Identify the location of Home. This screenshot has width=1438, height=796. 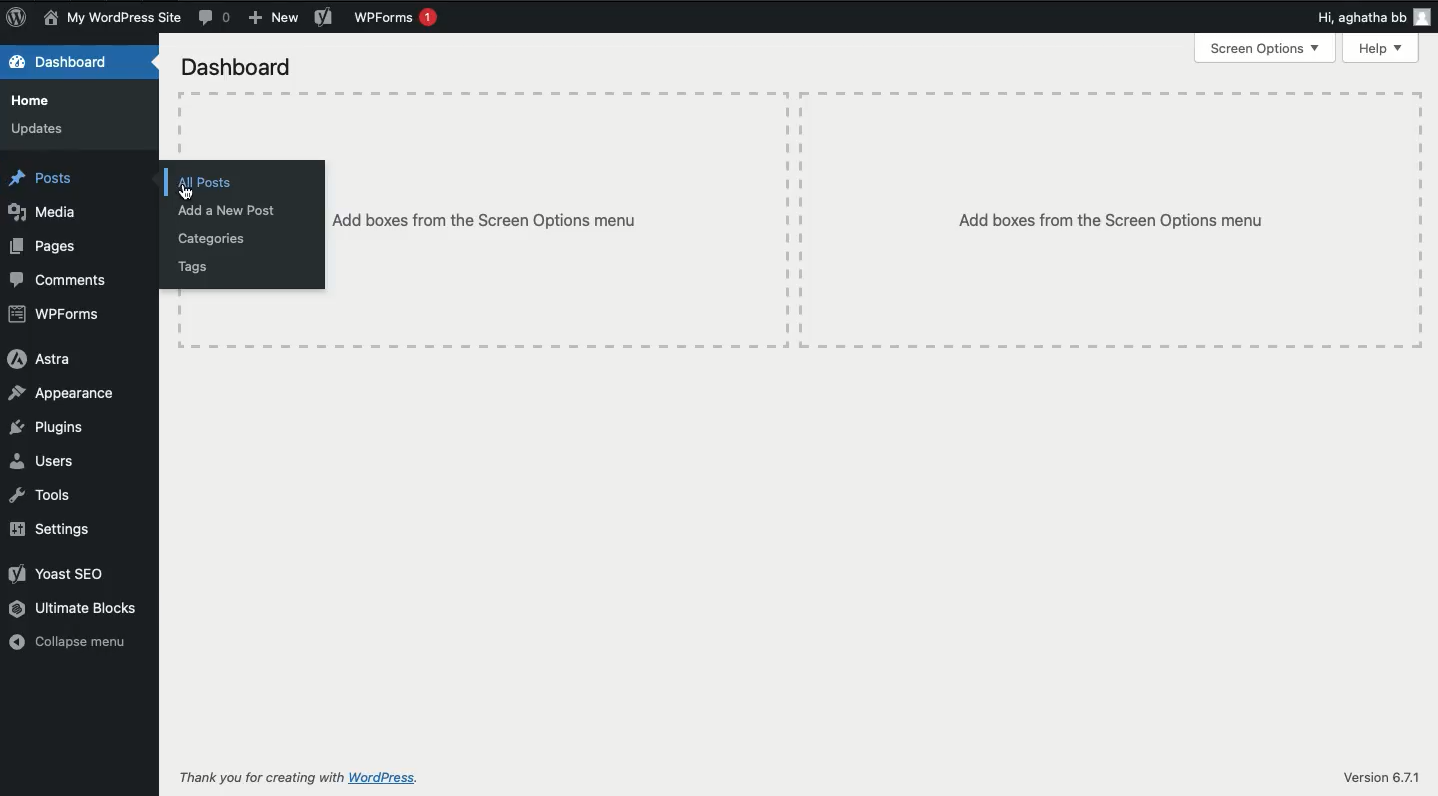
(34, 102).